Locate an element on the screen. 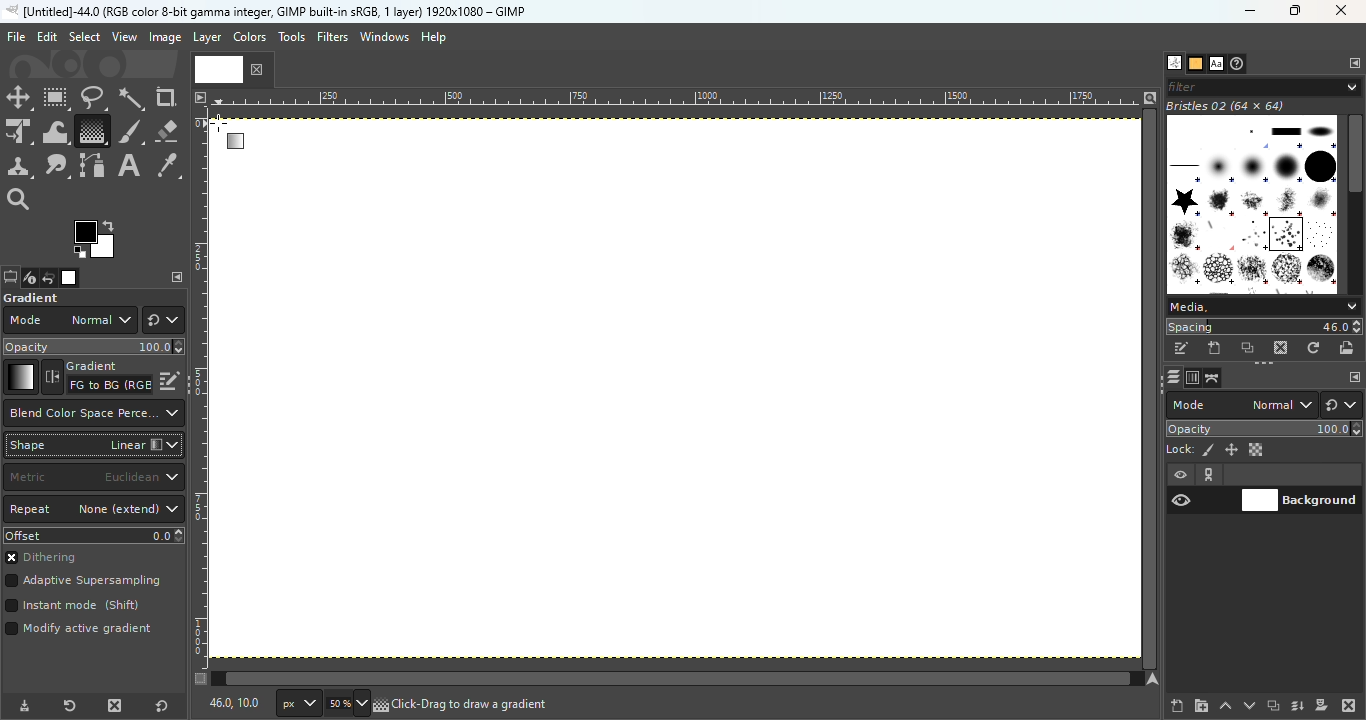 Image resolution: width=1366 pixels, height=720 pixels. Switch to another group of modes is located at coordinates (1345, 405).